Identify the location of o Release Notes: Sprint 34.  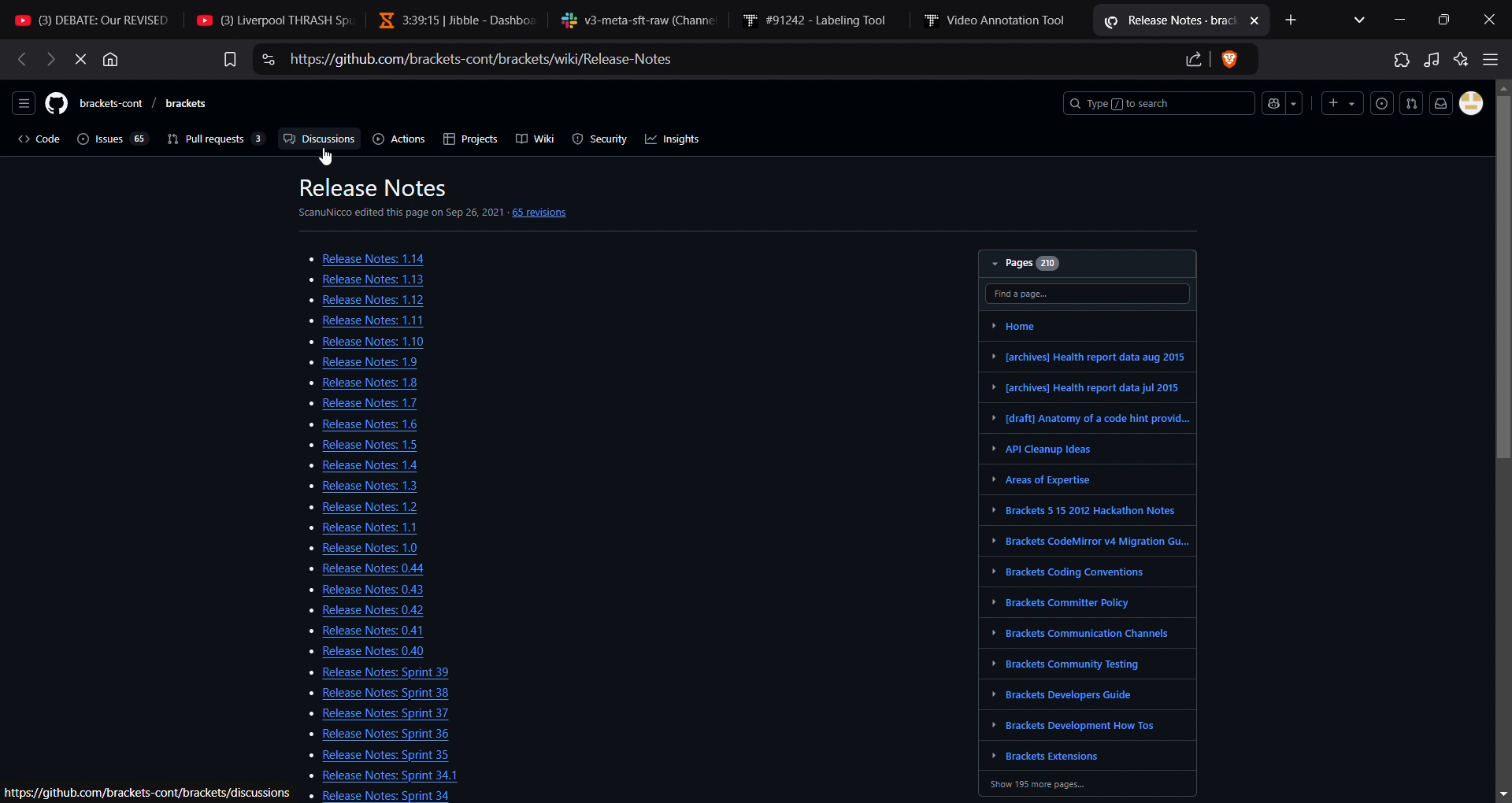
(386, 796).